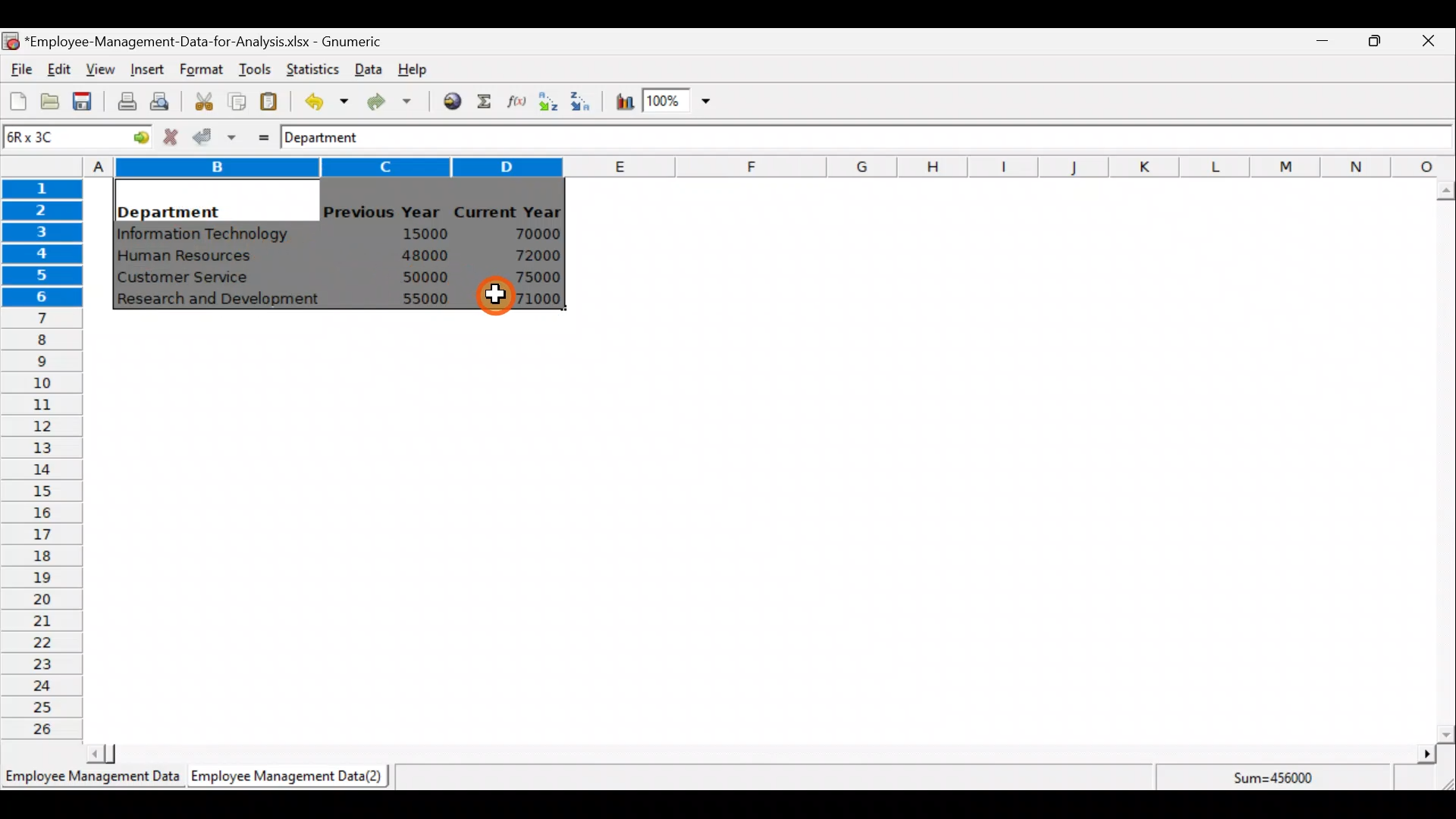 The height and width of the screenshot is (819, 1456). Describe the element at coordinates (135, 135) in the screenshot. I see `go to` at that location.